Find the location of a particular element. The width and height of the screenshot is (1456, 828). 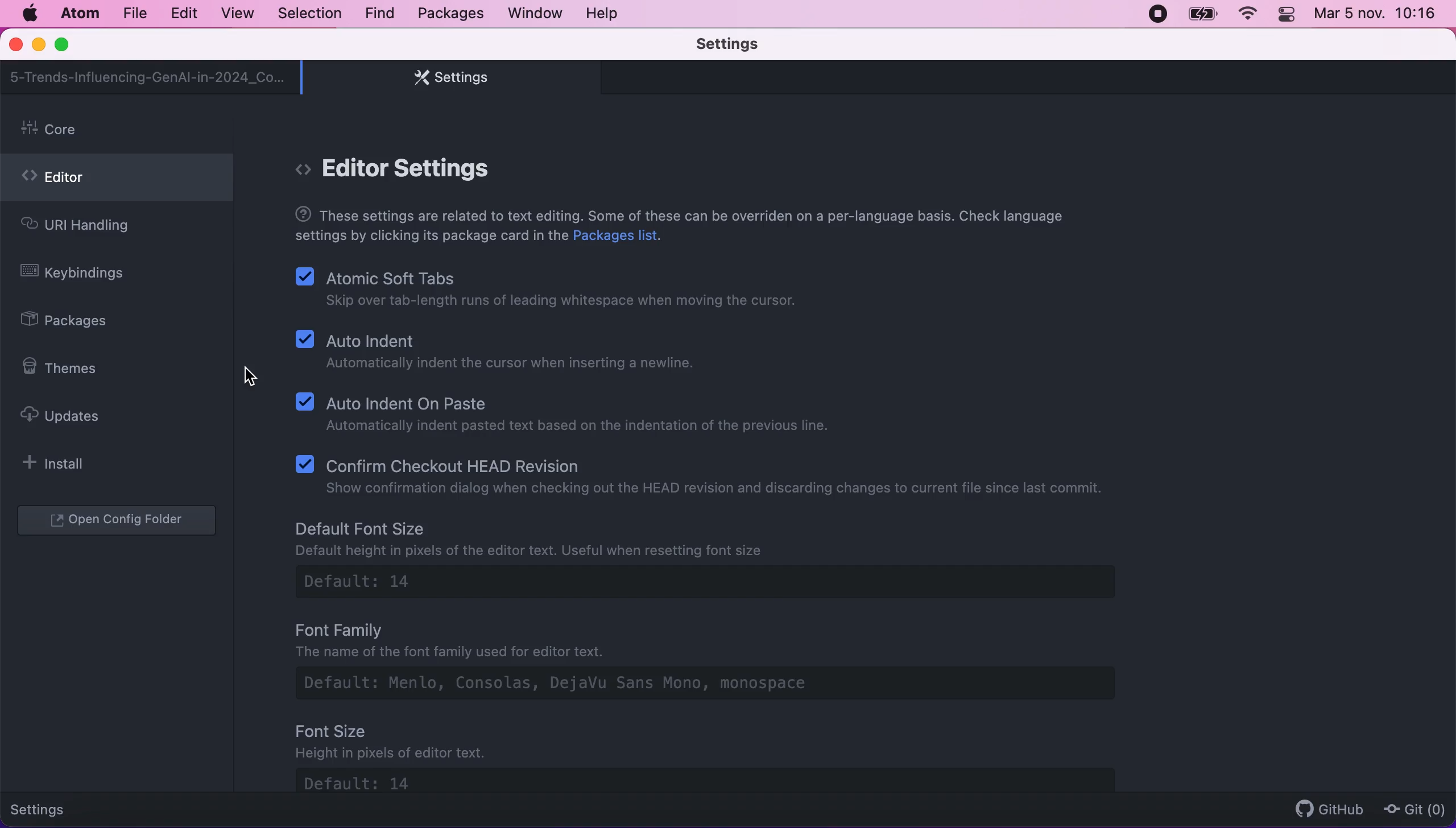

editor settings is located at coordinates (413, 169).